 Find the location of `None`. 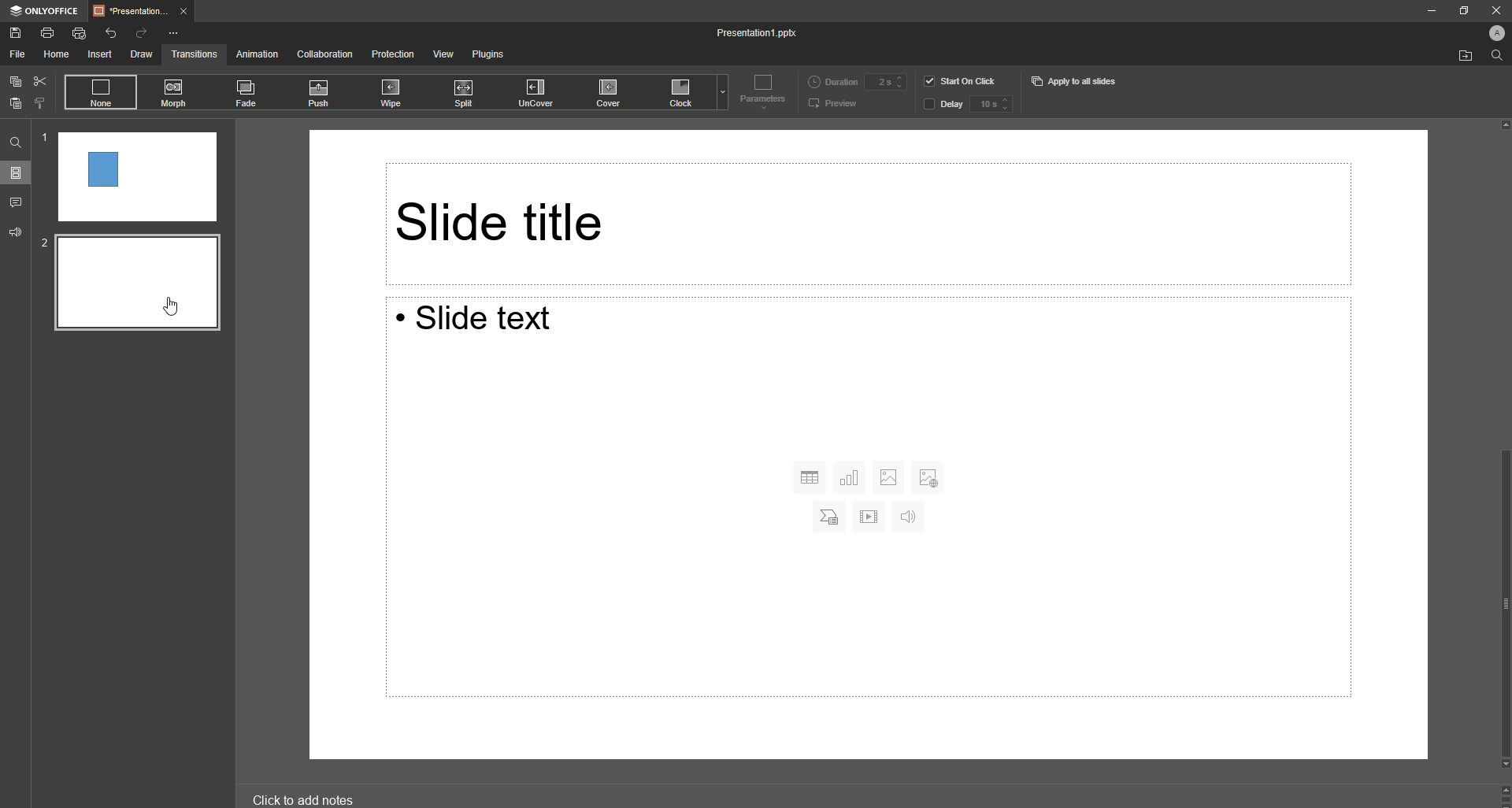

None is located at coordinates (102, 92).